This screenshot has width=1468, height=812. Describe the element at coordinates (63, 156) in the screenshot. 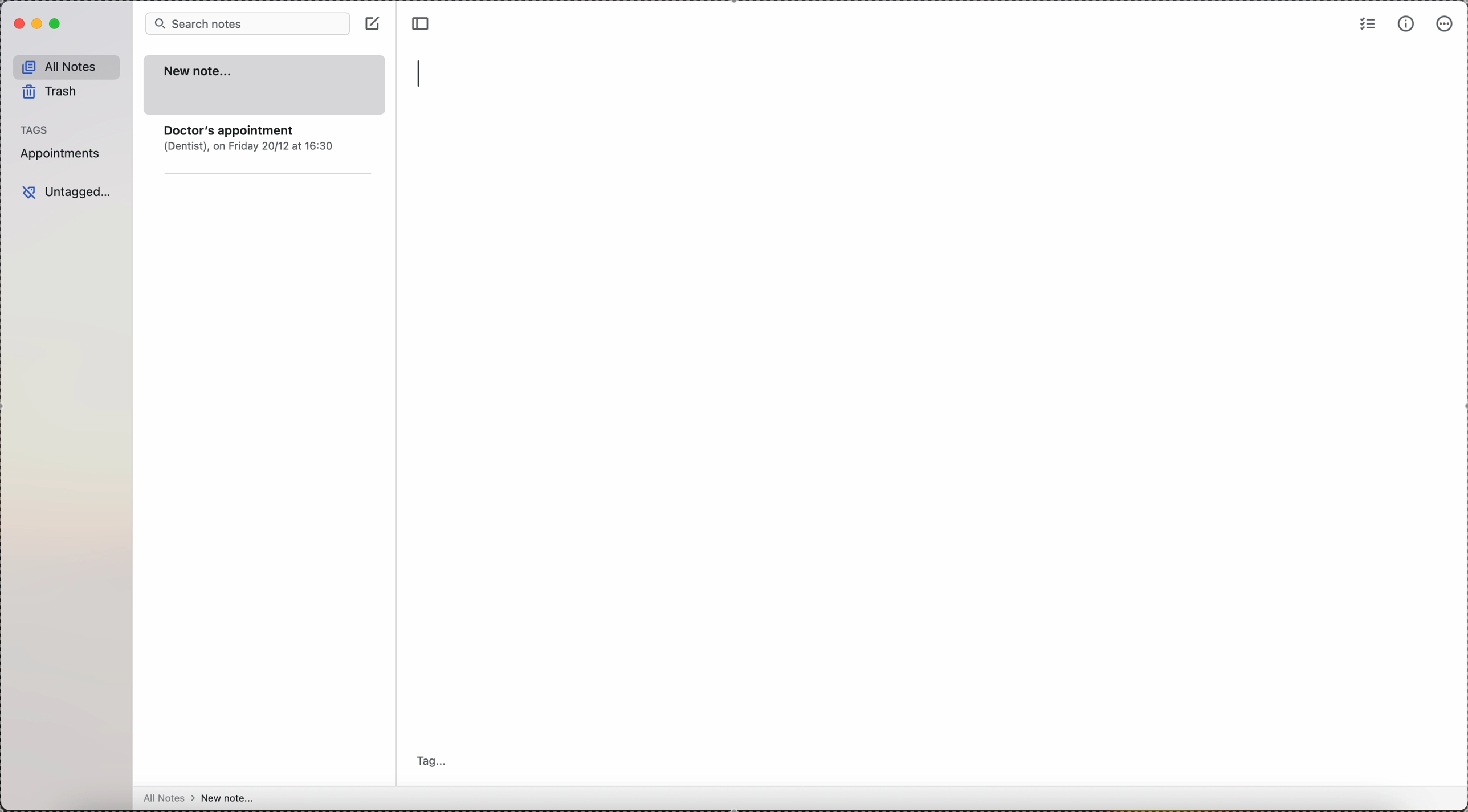

I see `appointments tag` at that location.